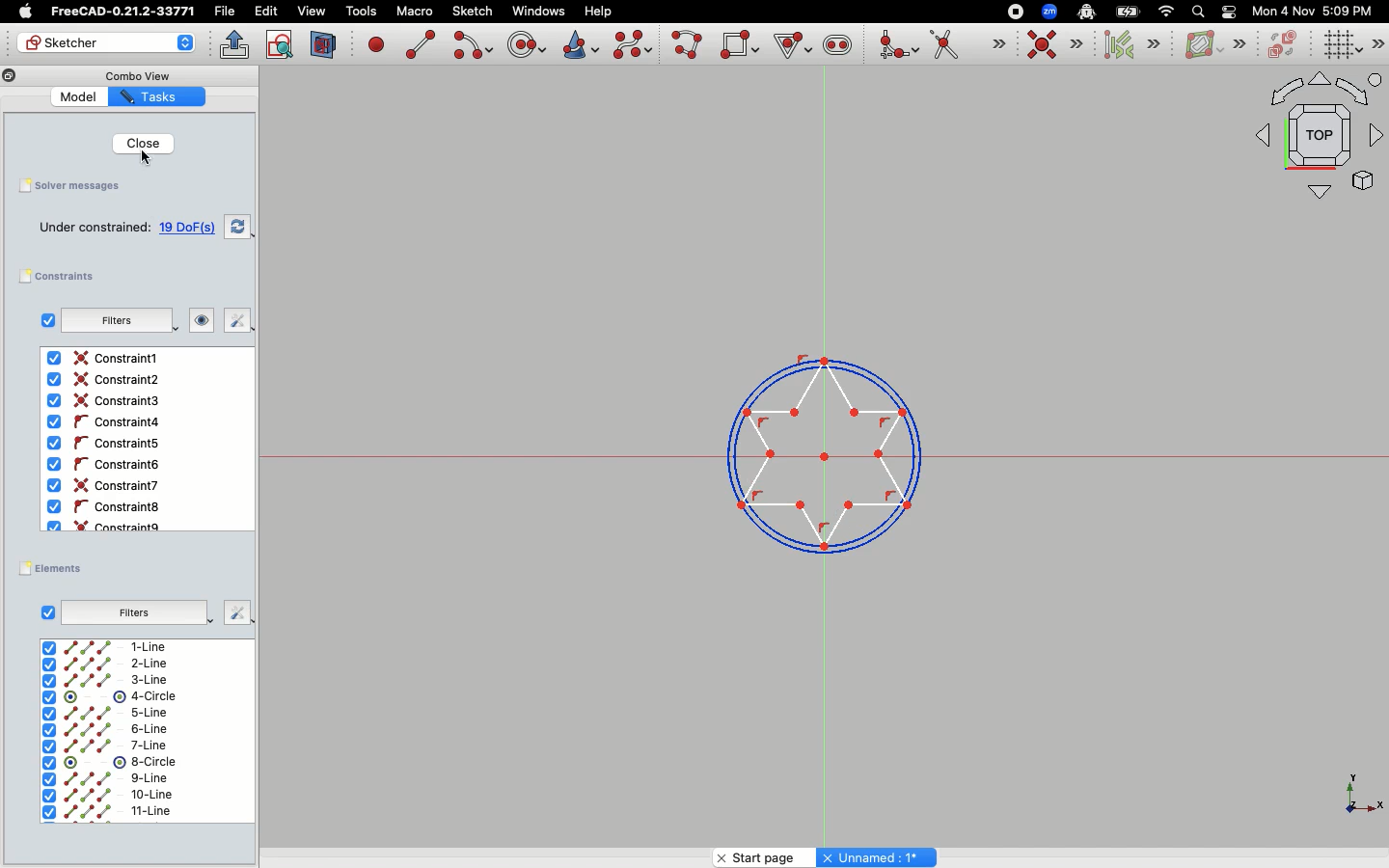  I want to click on Battery, so click(1129, 11).